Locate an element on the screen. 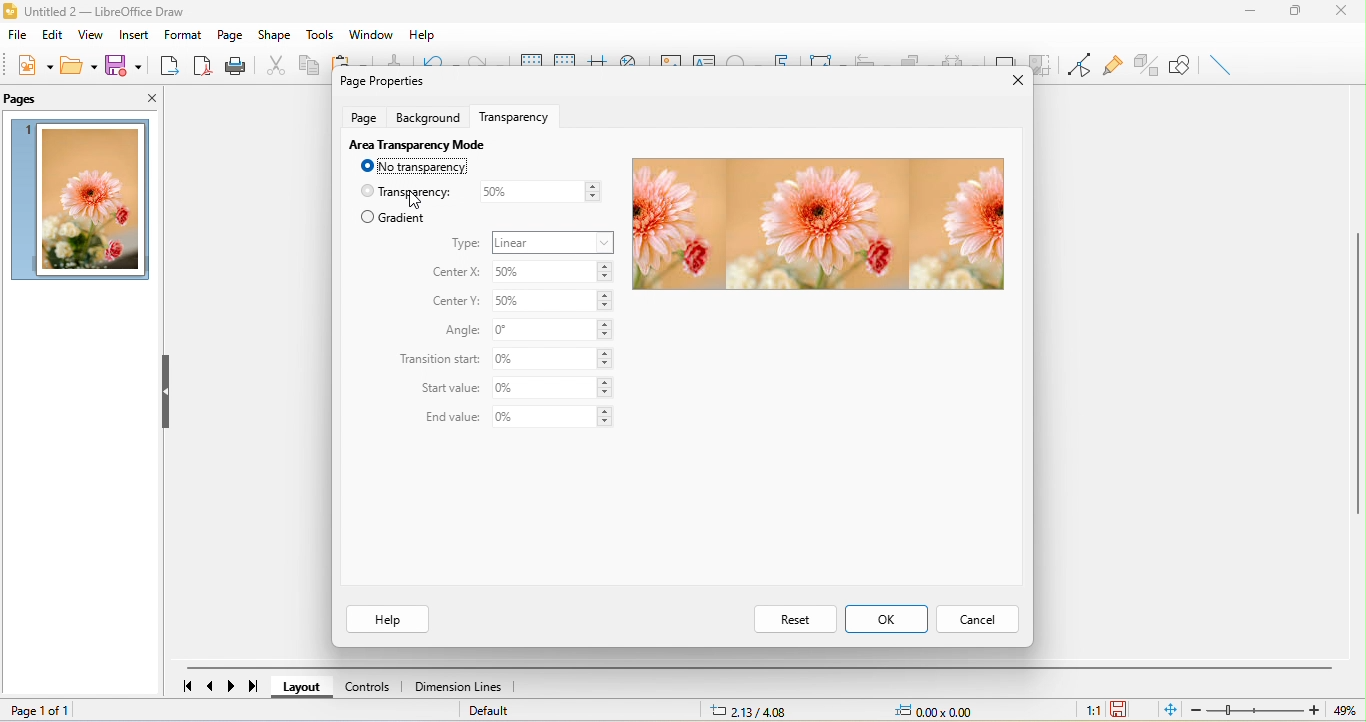 This screenshot has height=722, width=1366. 0% is located at coordinates (553, 388).